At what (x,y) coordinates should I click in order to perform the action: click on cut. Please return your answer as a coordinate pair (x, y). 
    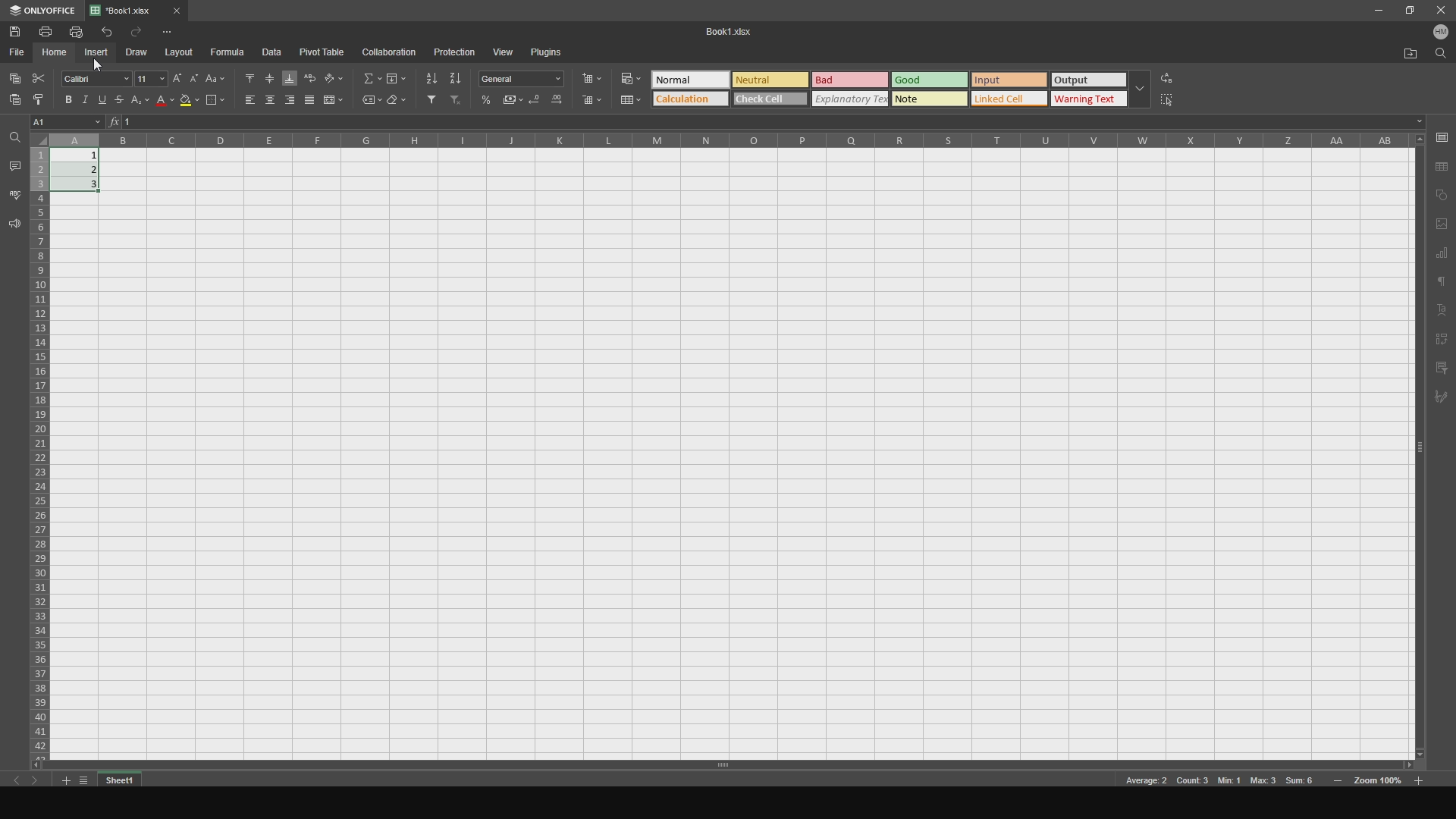
    Looking at the image, I should click on (40, 76).